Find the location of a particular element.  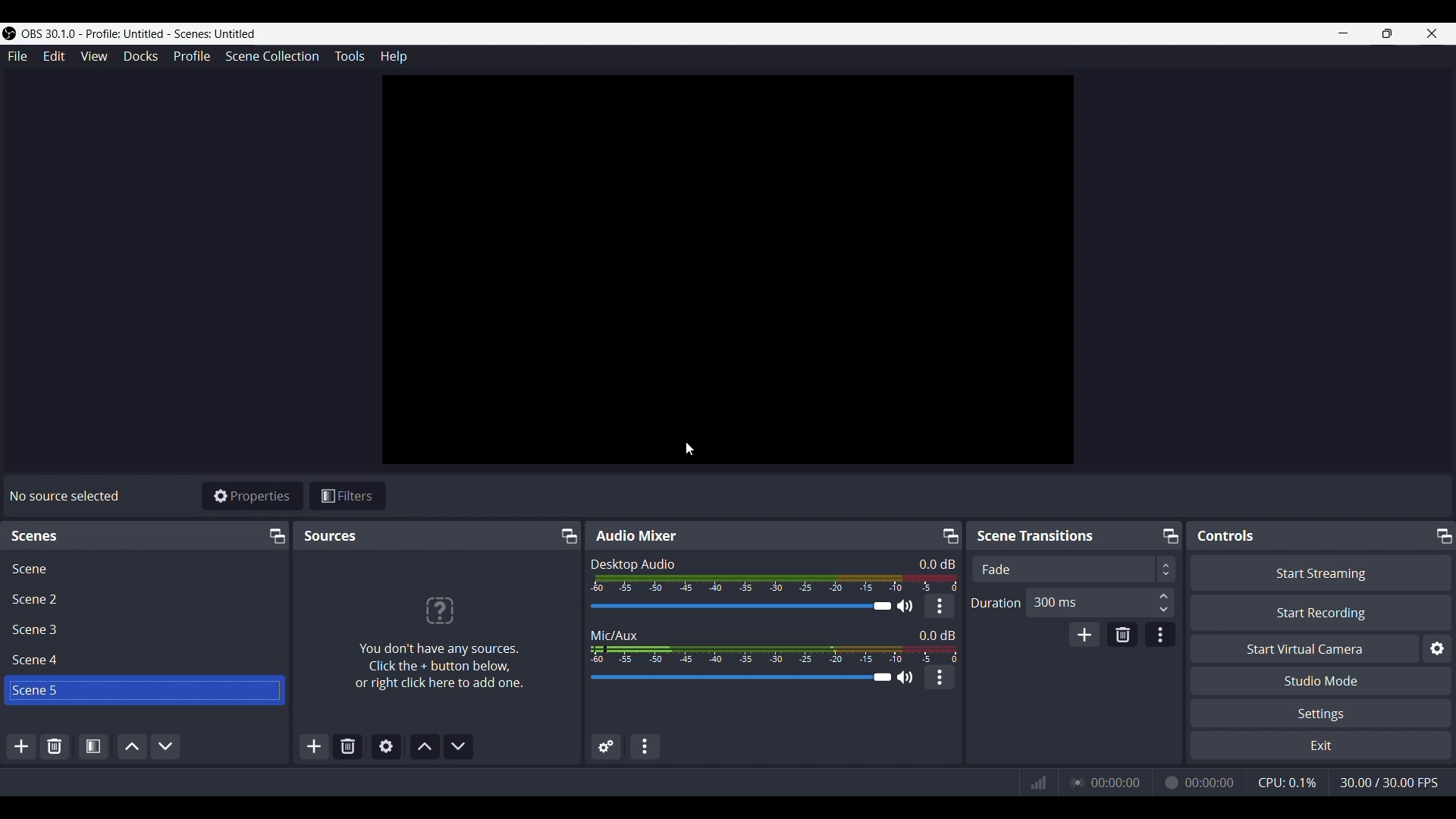

More is located at coordinates (940, 607).